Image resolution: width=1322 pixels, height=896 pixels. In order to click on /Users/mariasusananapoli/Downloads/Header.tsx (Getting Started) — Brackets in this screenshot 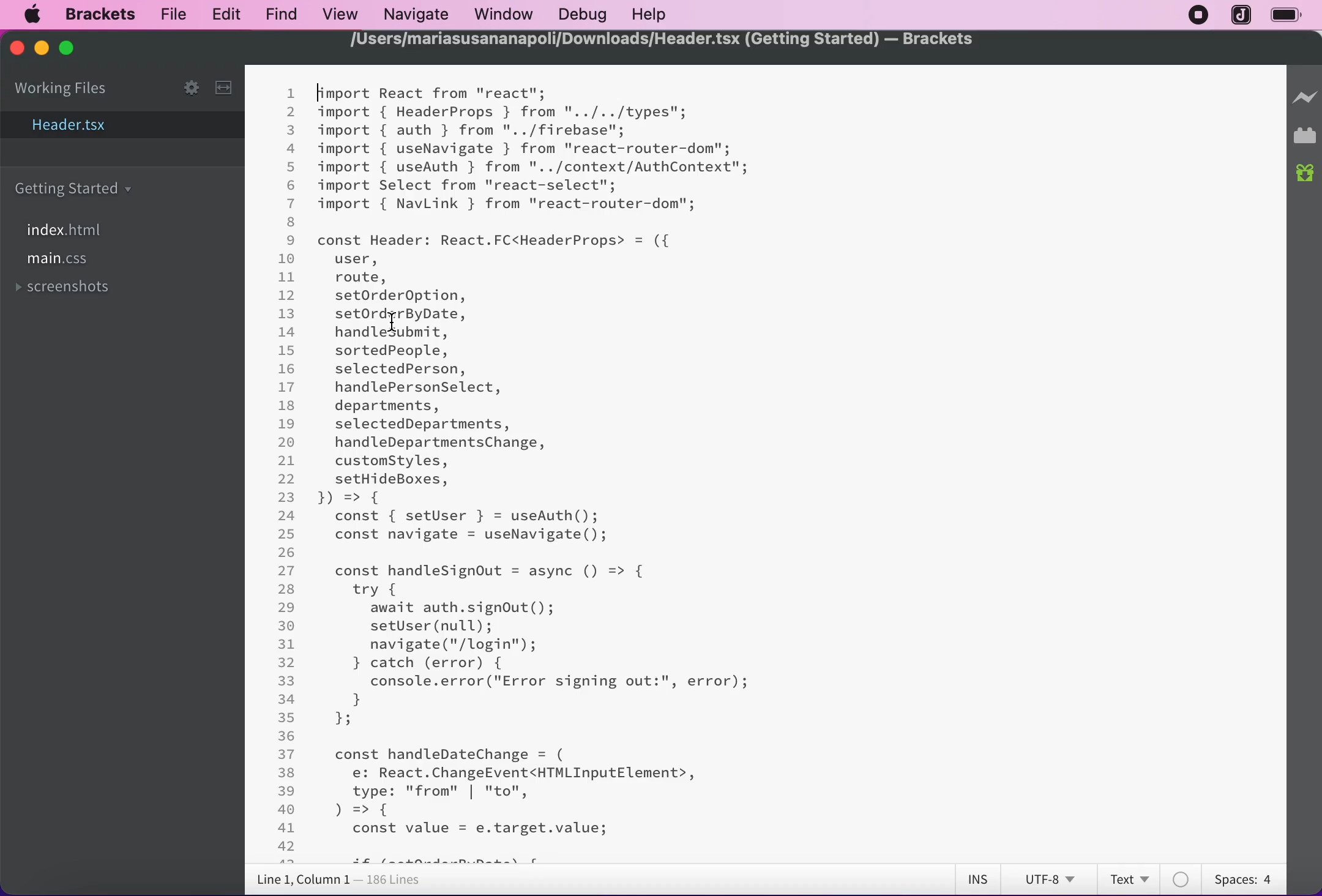, I will do `click(662, 40)`.